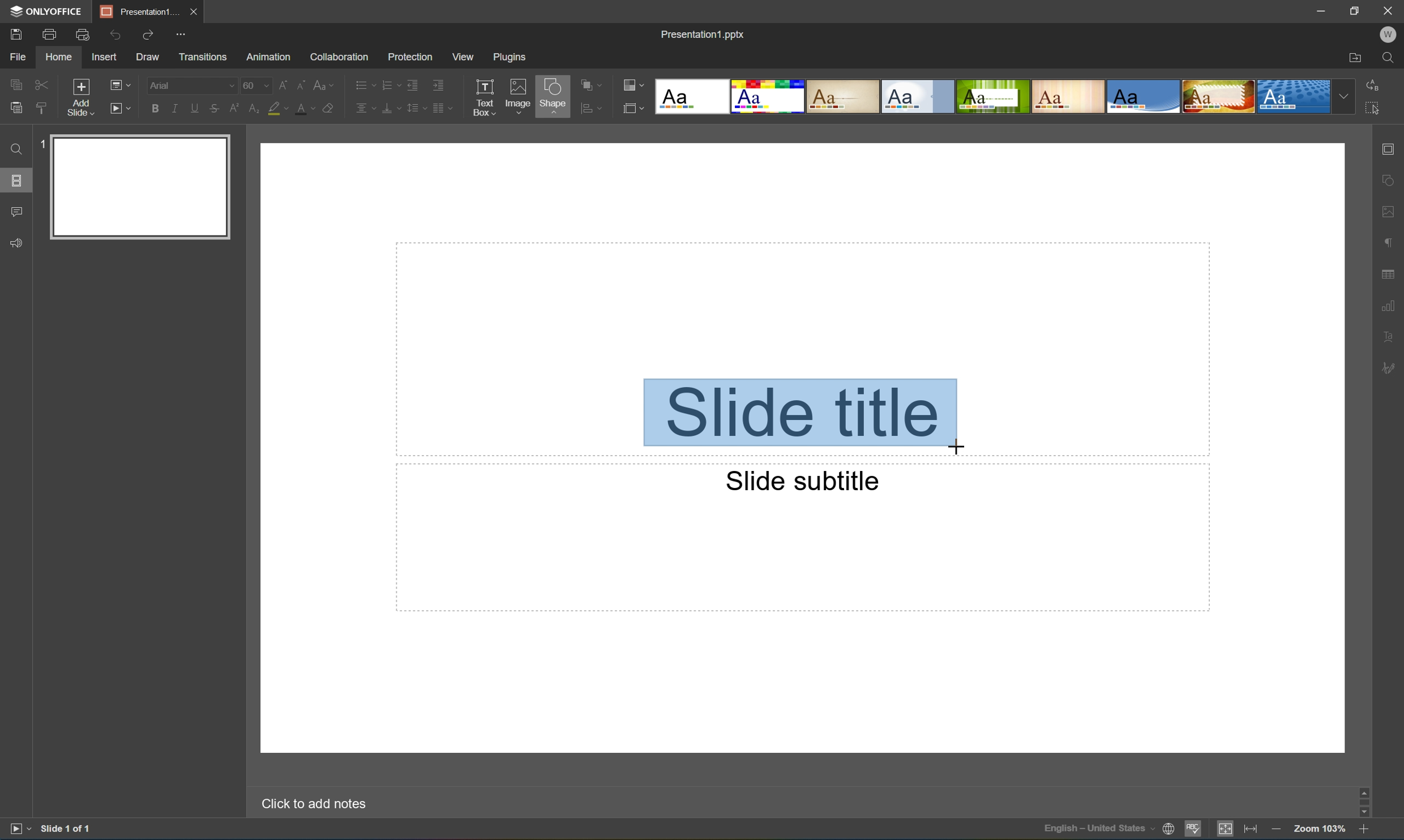 The height and width of the screenshot is (840, 1404). Describe the element at coordinates (1376, 84) in the screenshot. I see `Replace` at that location.